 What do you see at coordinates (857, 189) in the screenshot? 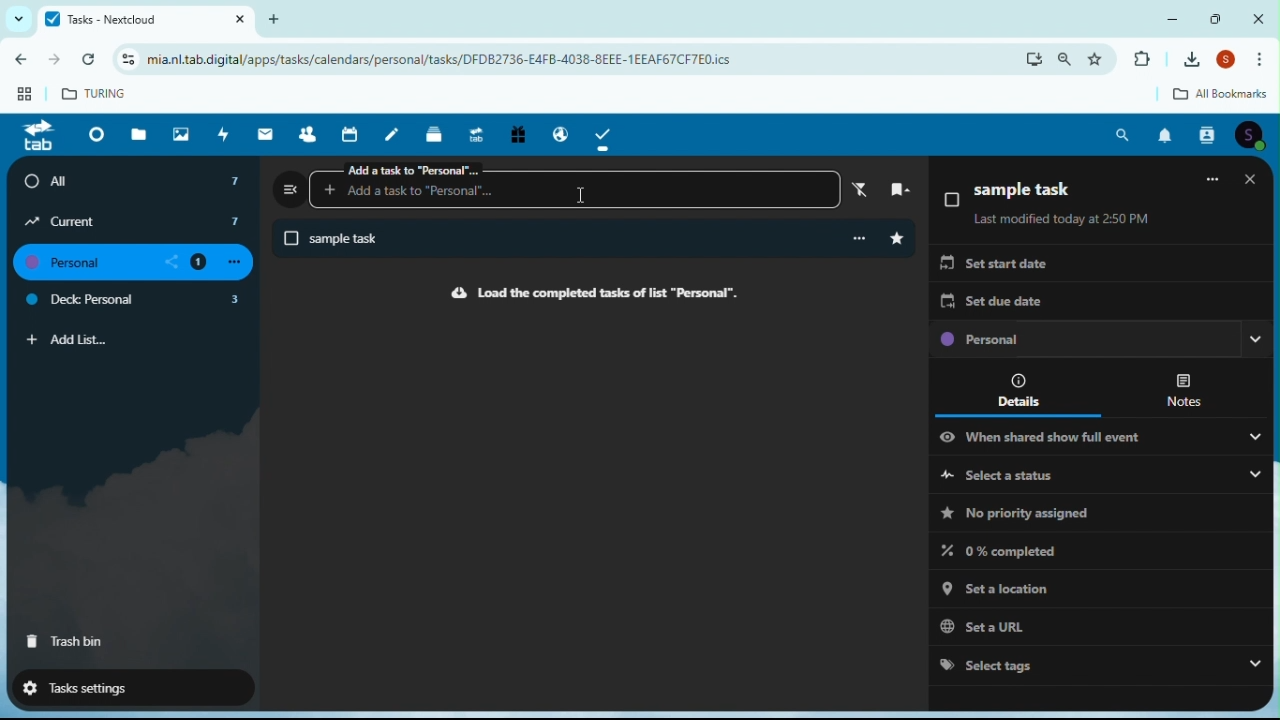
I see `filter` at bounding box center [857, 189].